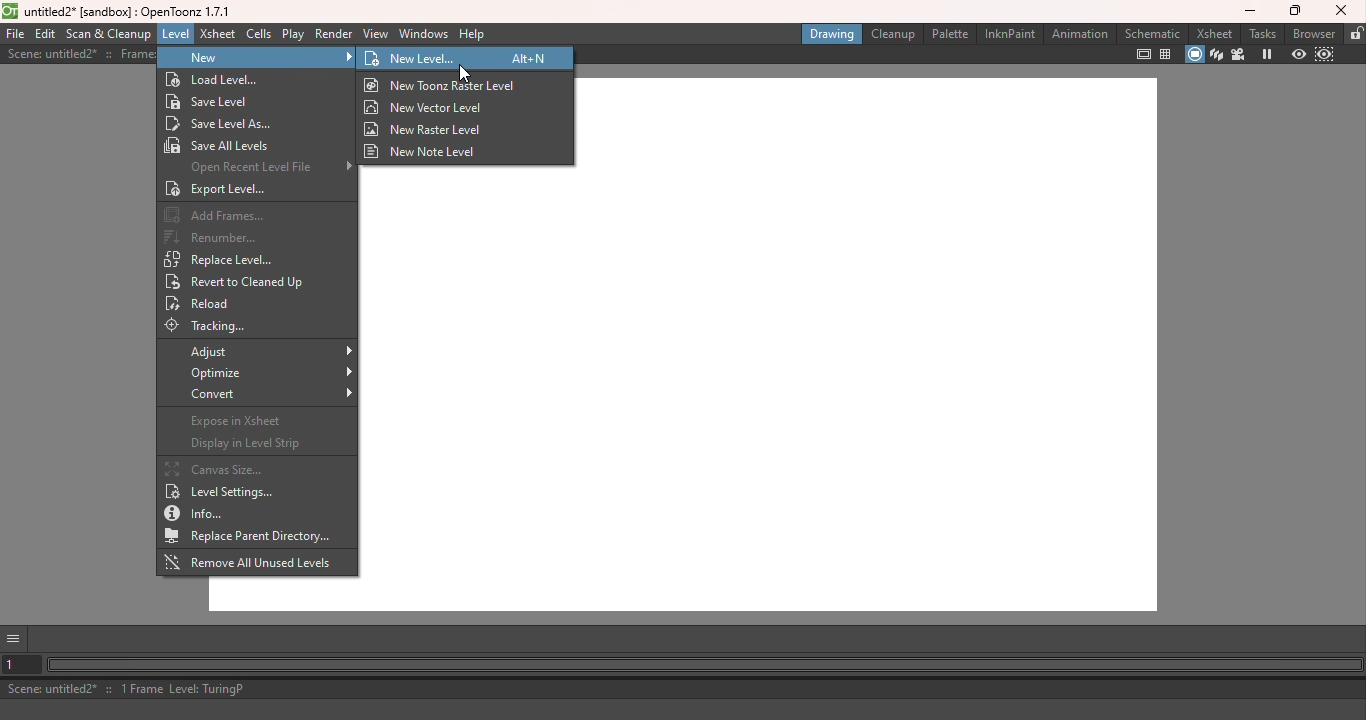 This screenshot has width=1366, height=720. Describe the element at coordinates (218, 34) in the screenshot. I see `Xsheet` at that location.